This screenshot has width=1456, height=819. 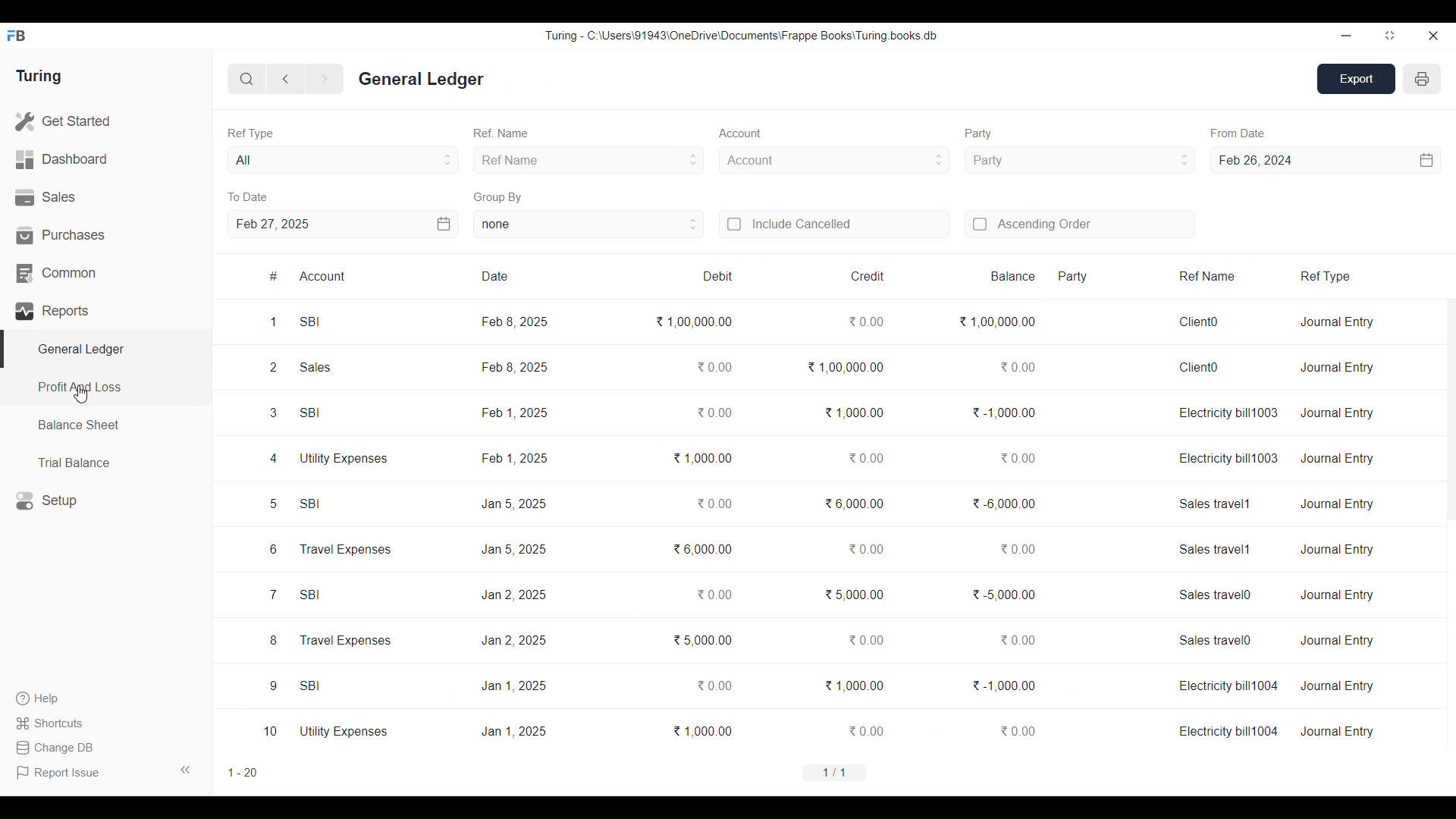 I want to click on -6,000.00, so click(x=1005, y=503).